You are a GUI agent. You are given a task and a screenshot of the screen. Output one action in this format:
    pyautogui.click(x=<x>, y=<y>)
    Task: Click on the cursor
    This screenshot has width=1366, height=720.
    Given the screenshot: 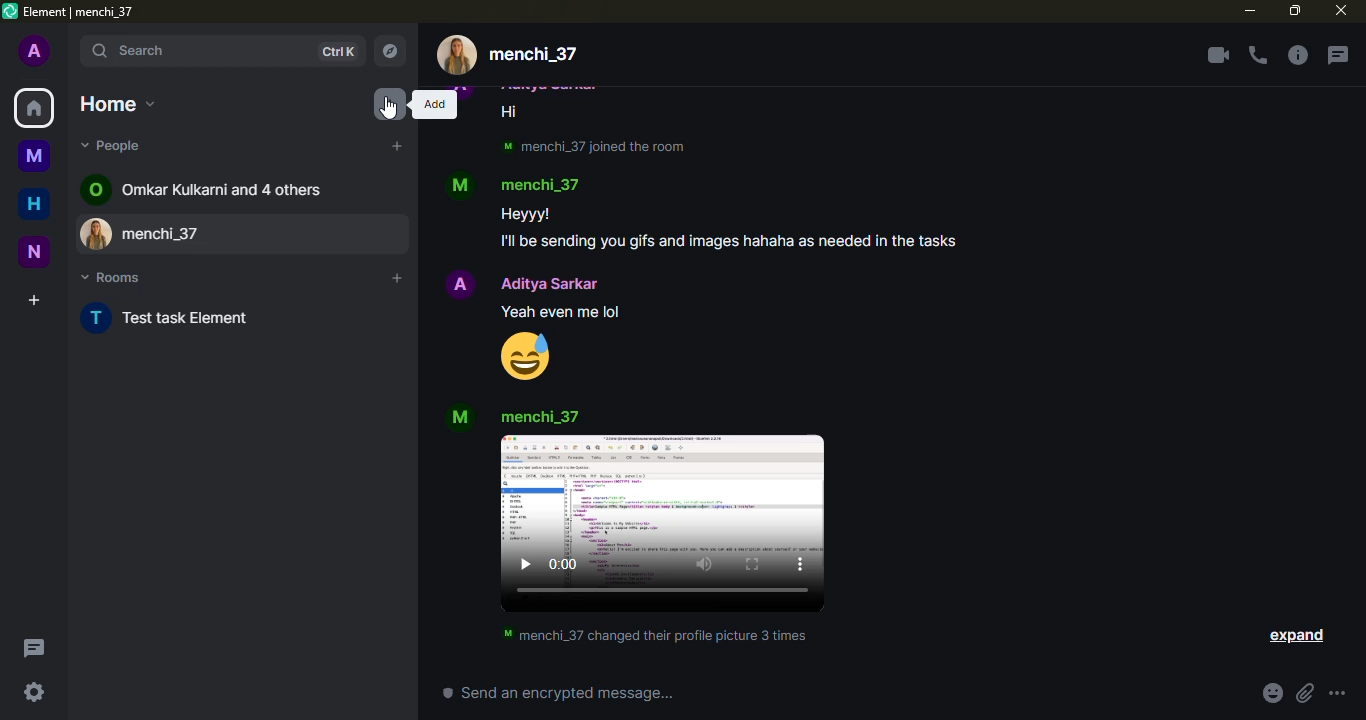 What is the action you would take?
    pyautogui.click(x=388, y=108)
    